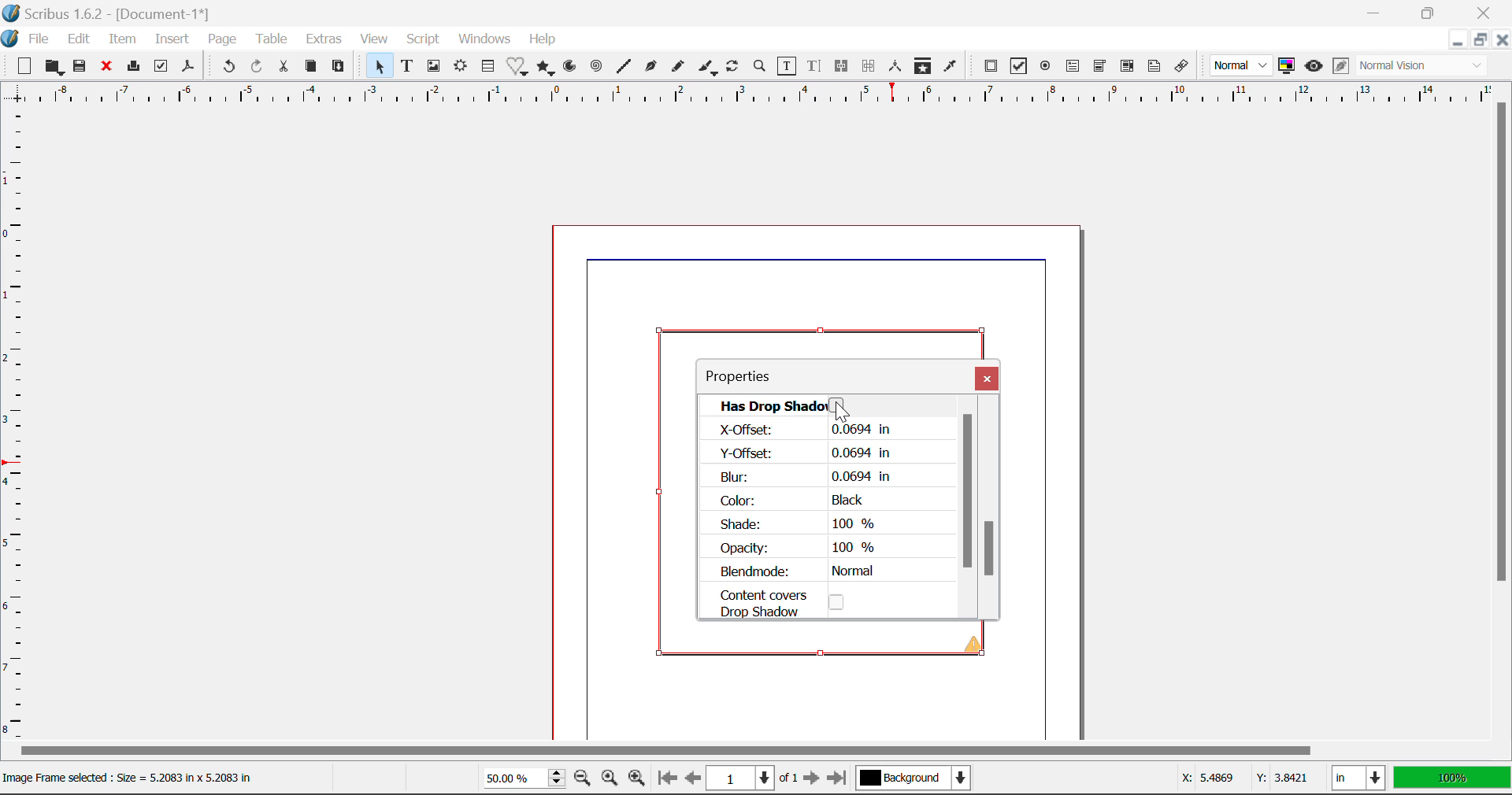  What do you see at coordinates (1100, 68) in the screenshot?
I see `Pdf Combo box` at bounding box center [1100, 68].